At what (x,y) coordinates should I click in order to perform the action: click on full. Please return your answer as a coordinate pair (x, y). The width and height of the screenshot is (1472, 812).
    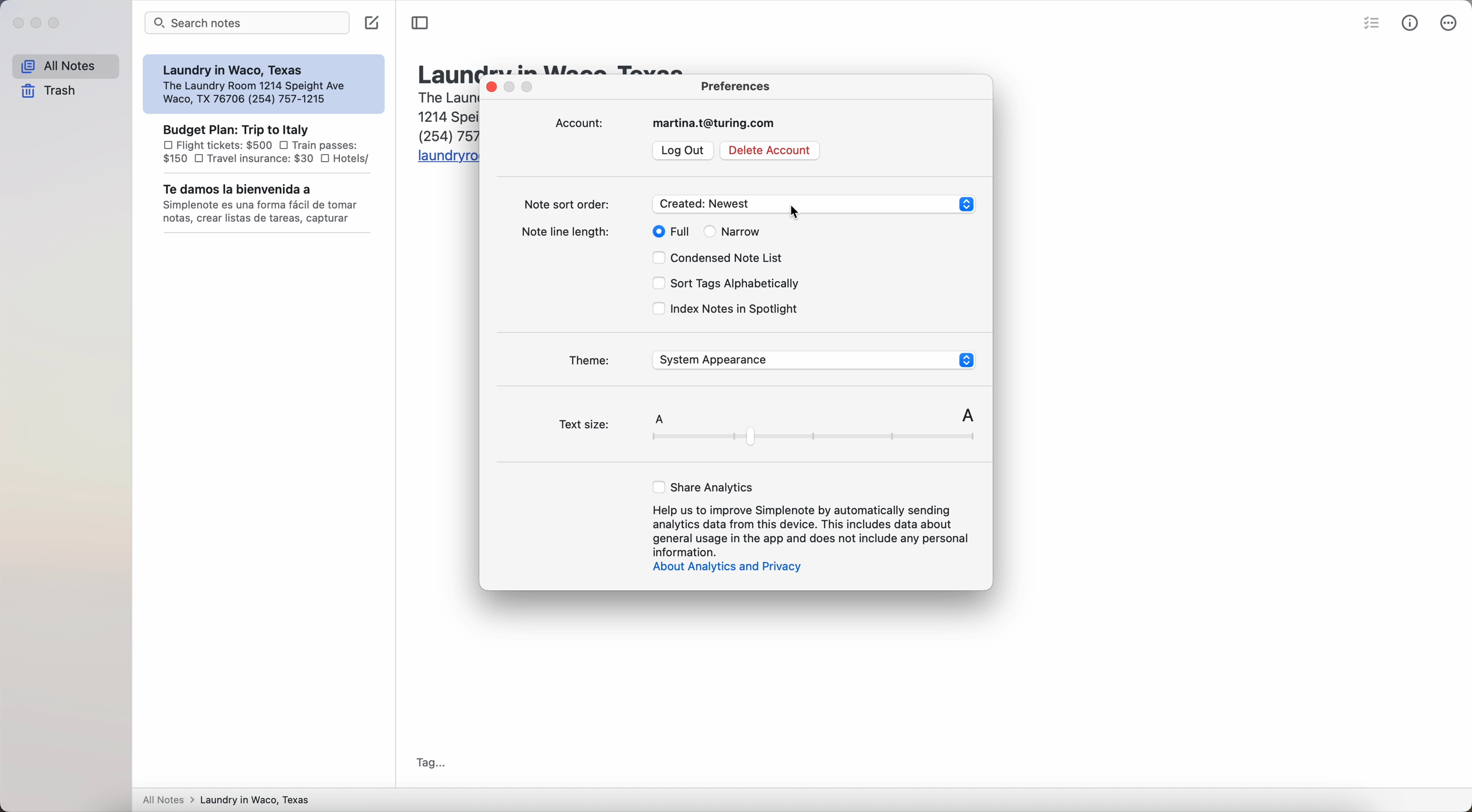
    Looking at the image, I should click on (673, 231).